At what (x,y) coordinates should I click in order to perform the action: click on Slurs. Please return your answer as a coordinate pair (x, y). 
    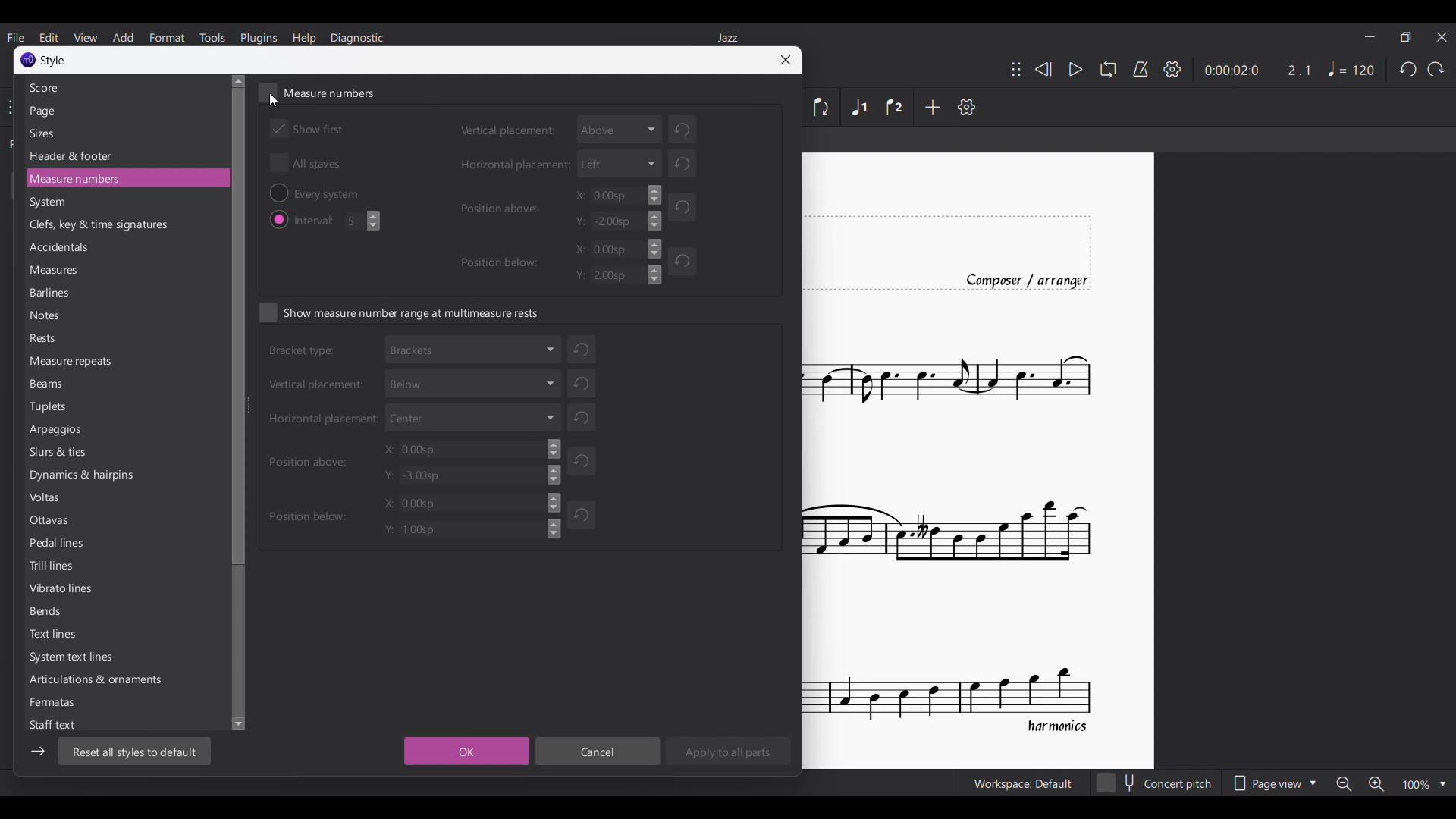
    Looking at the image, I should click on (59, 454).